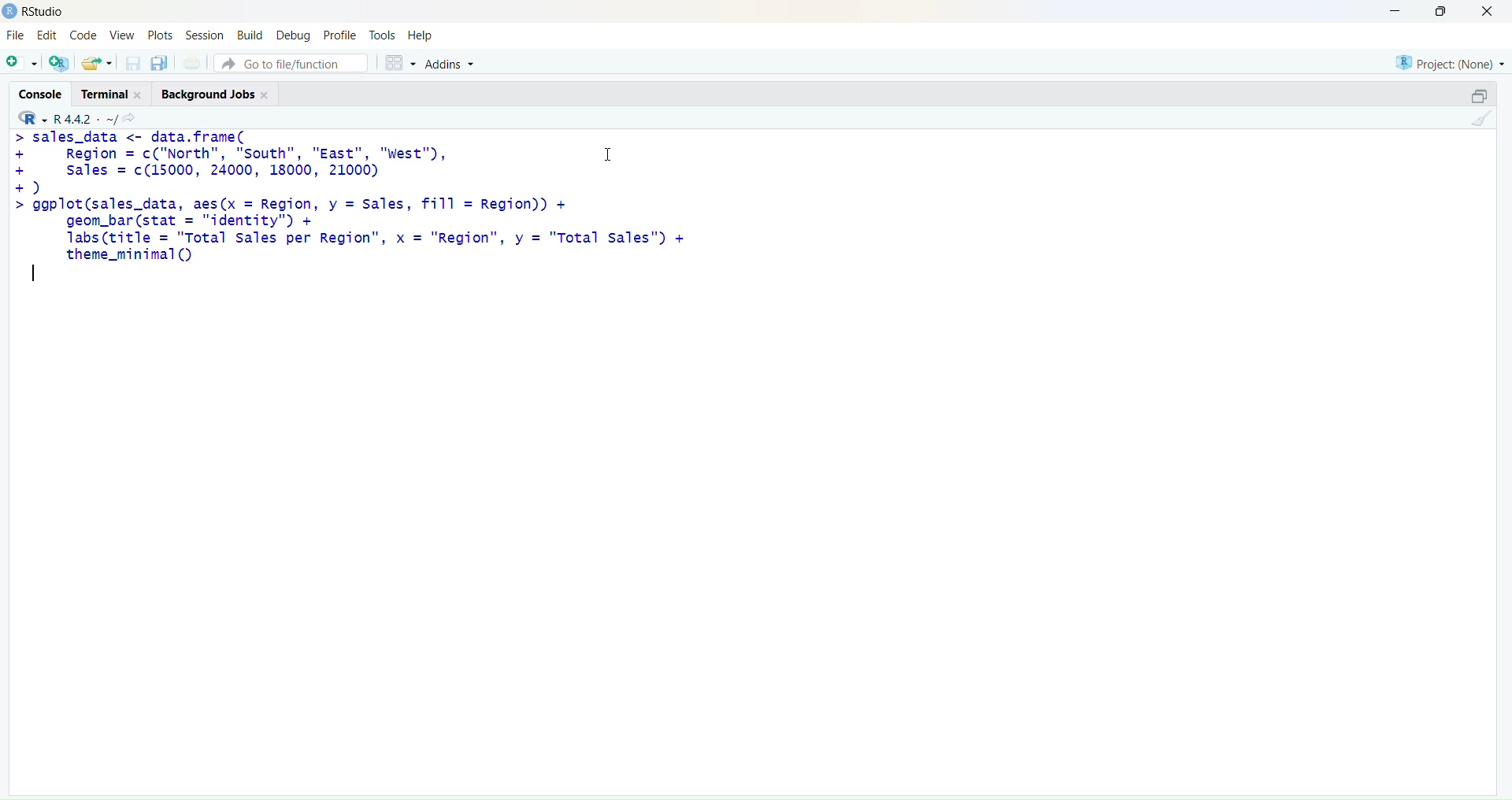  What do you see at coordinates (340, 36) in the screenshot?
I see `Profile` at bounding box center [340, 36].